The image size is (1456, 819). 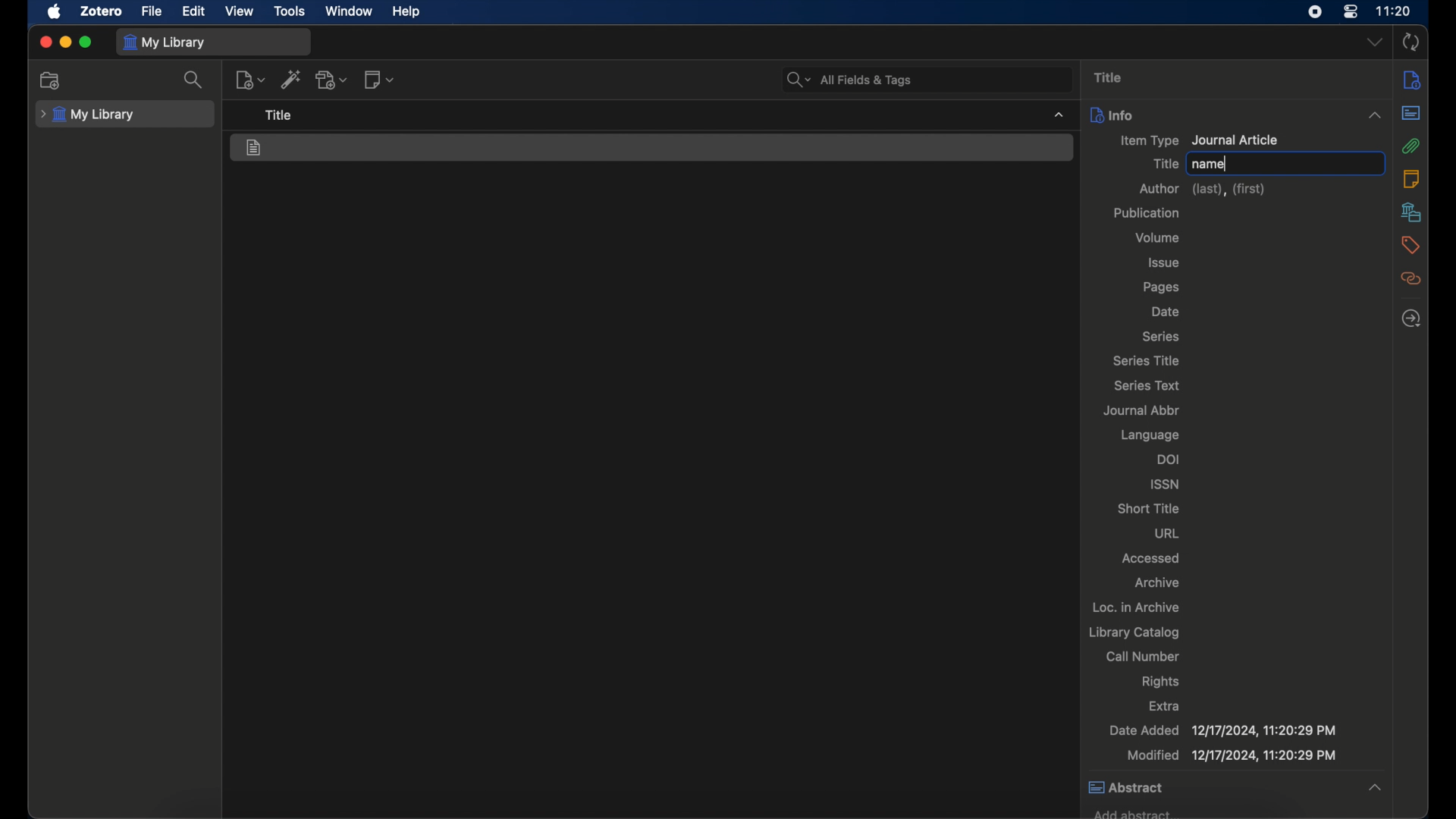 What do you see at coordinates (1137, 607) in the screenshot?
I see `loc. in archive` at bounding box center [1137, 607].